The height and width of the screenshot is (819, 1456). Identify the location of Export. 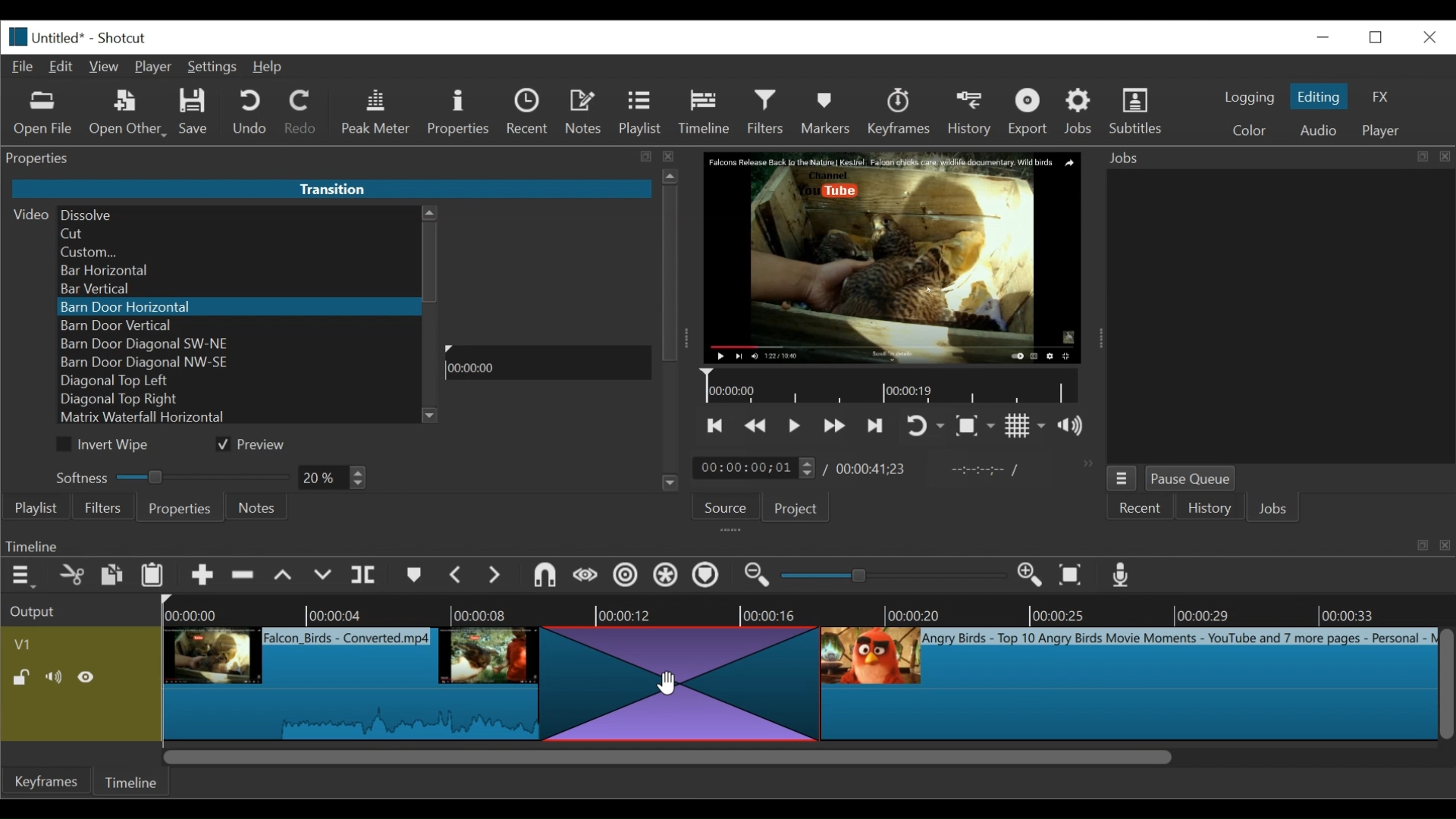
(1031, 112).